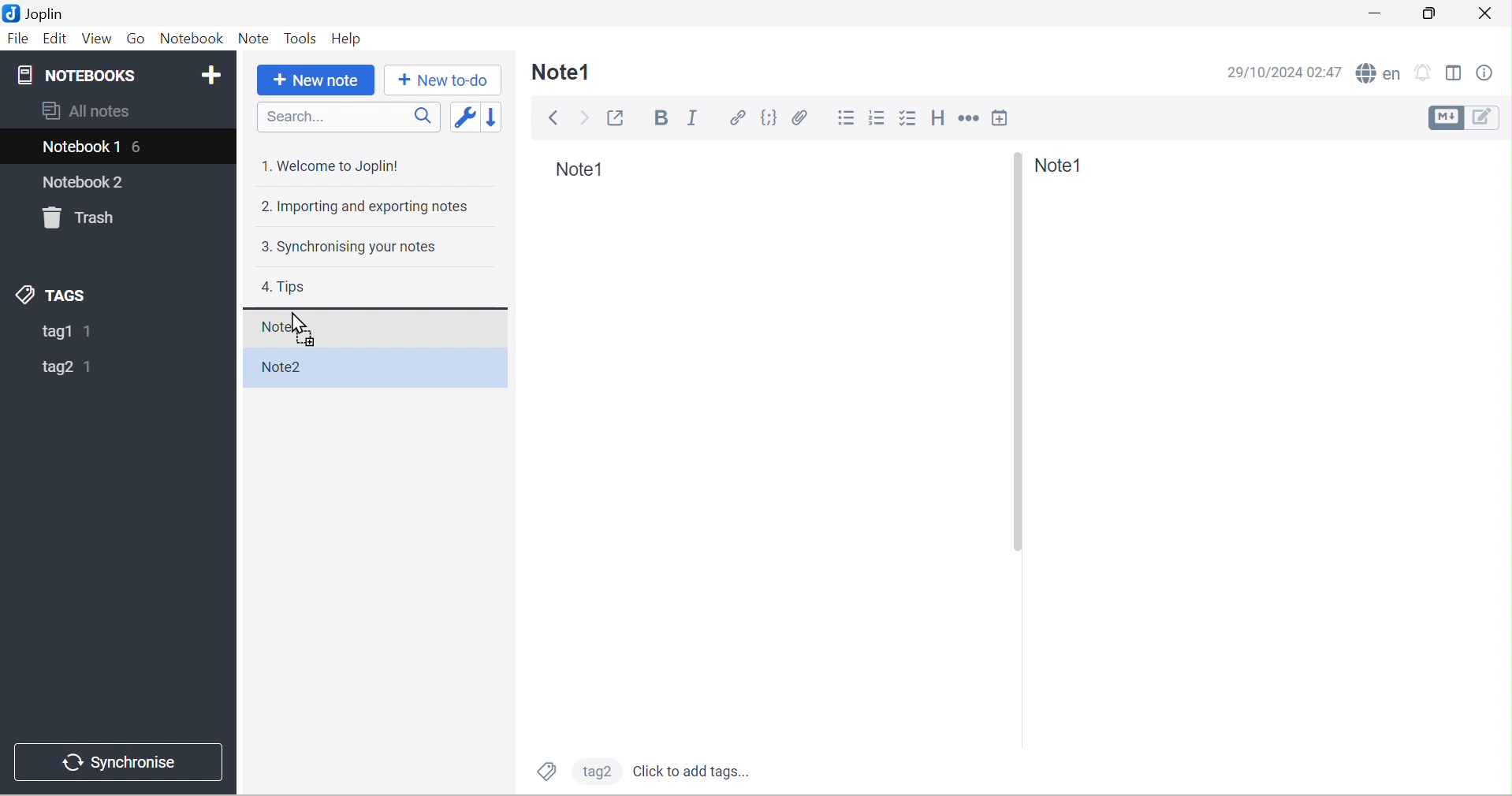 The image size is (1512, 796). What do you see at coordinates (734, 120) in the screenshot?
I see `Hyperlink` at bounding box center [734, 120].